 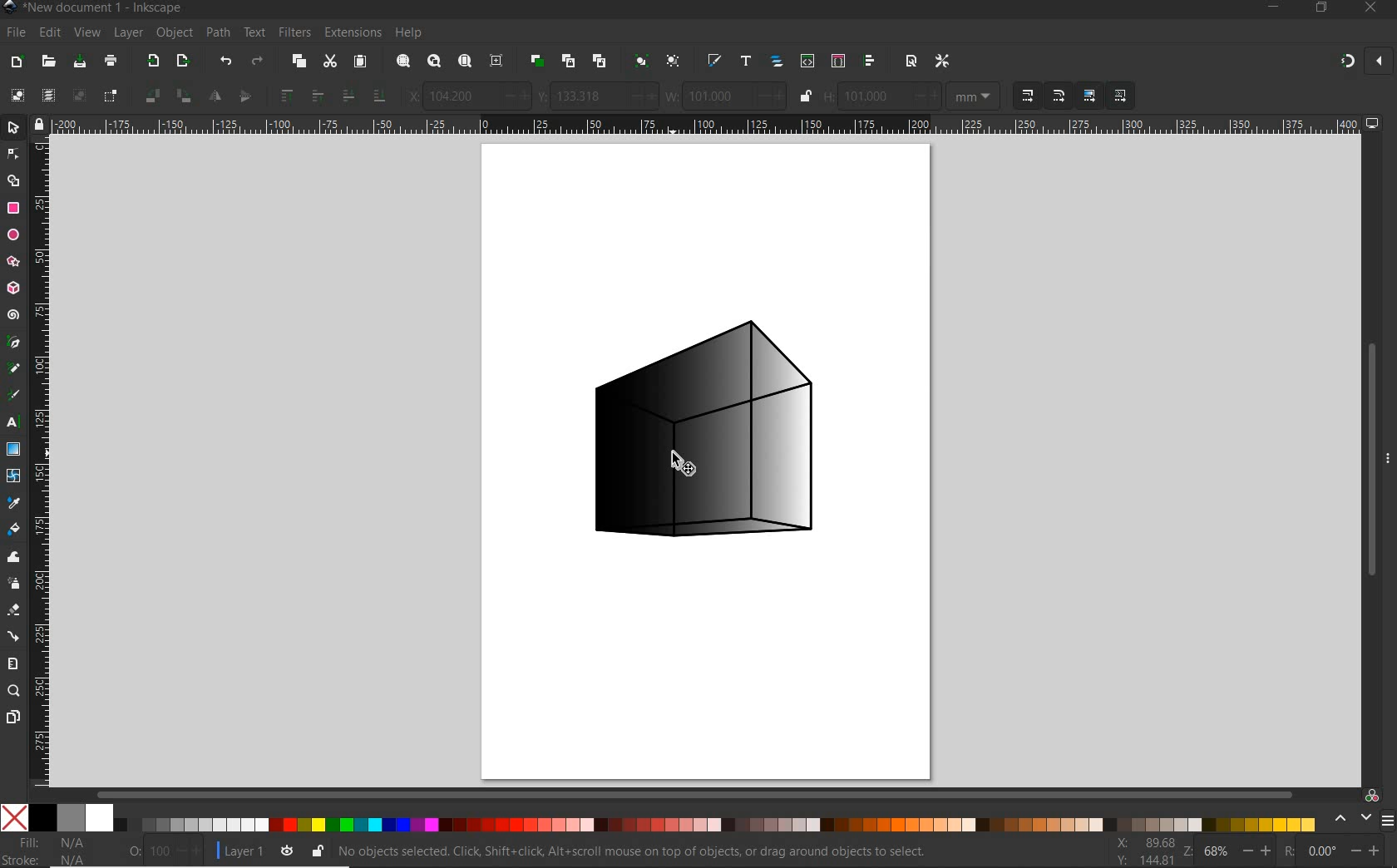 What do you see at coordinates (41, 462) in the screenshot?
I see `RULER` at bounding box center [41, 462].